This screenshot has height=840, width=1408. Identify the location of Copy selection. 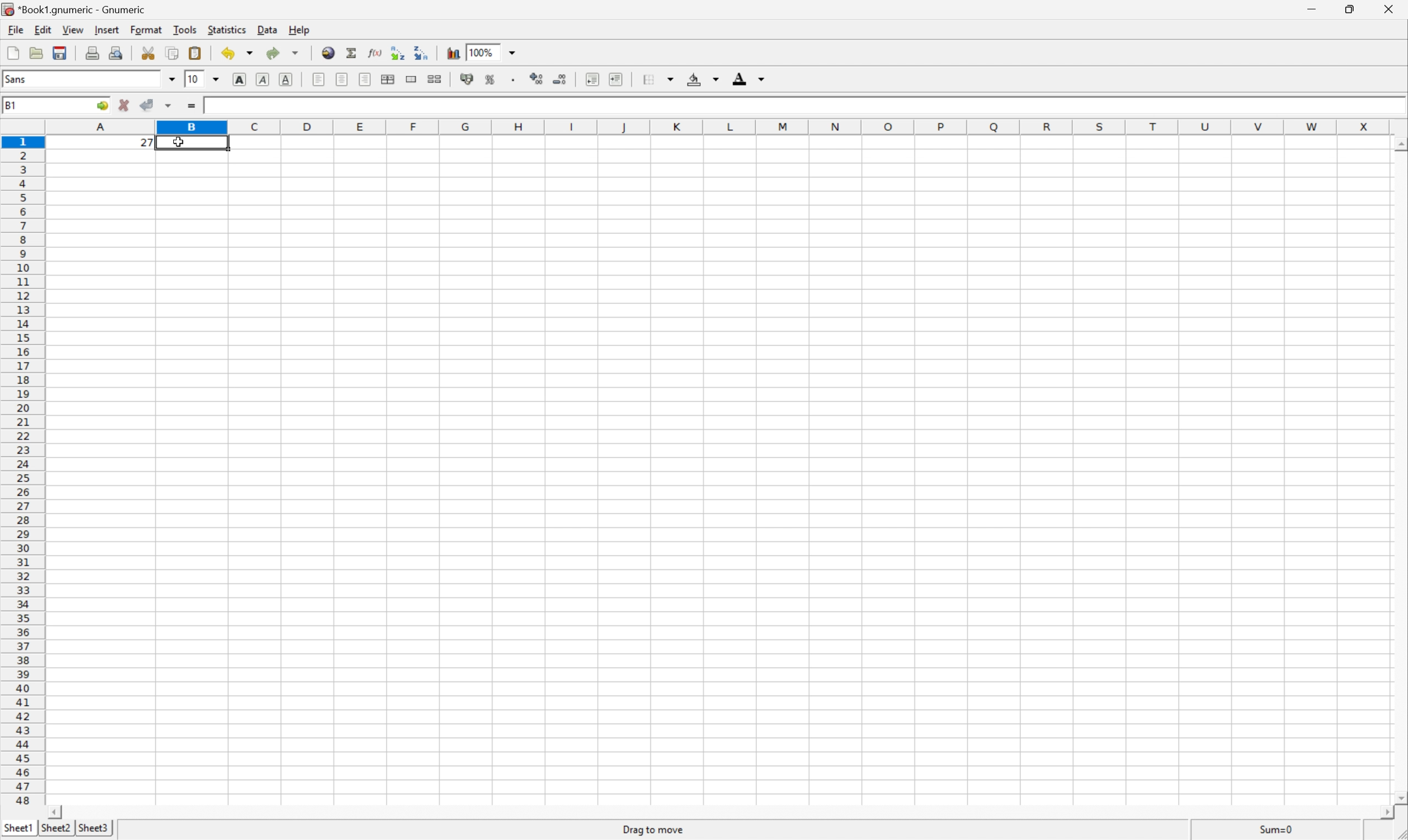
(173, 53).